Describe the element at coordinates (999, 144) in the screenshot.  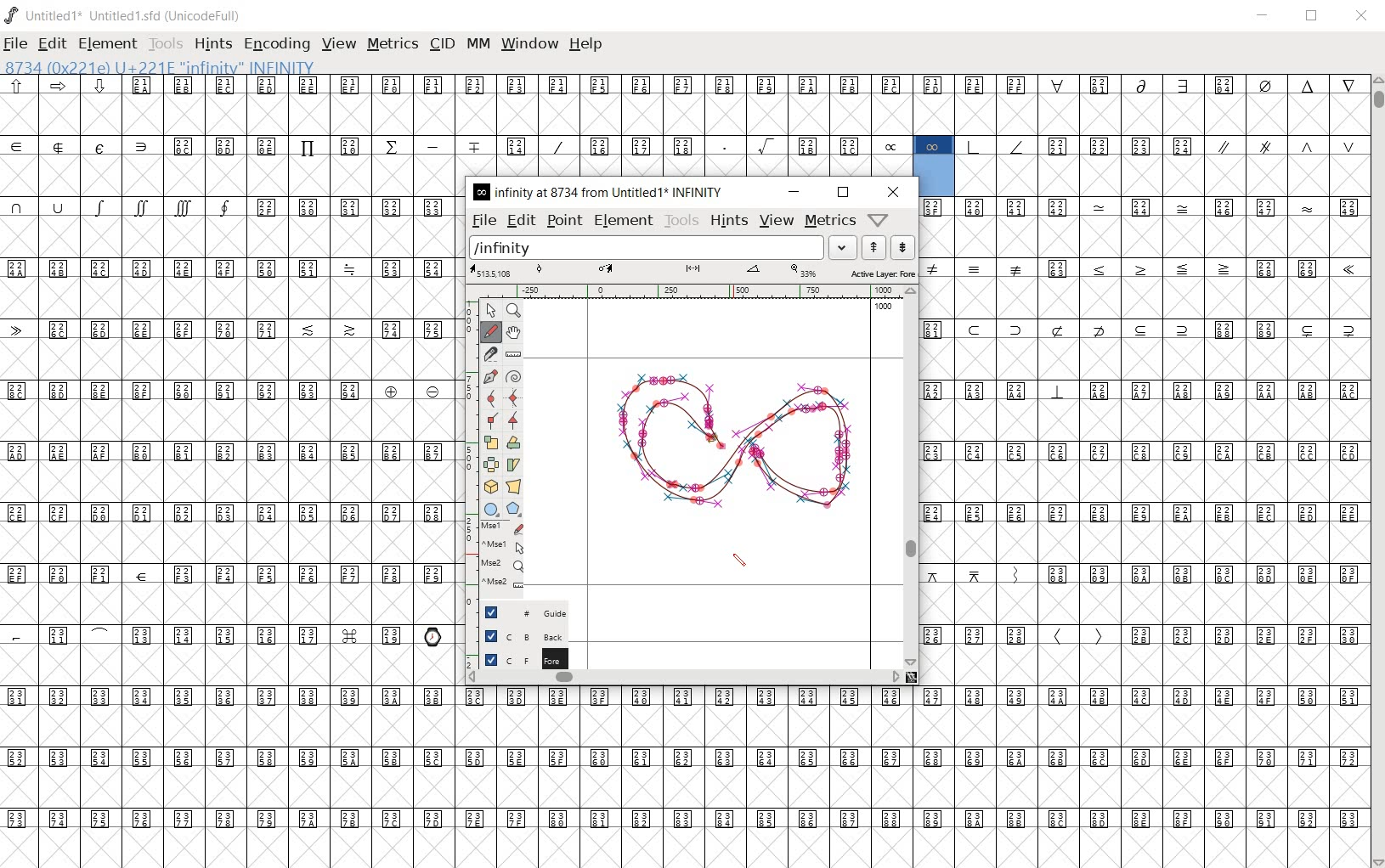
I see `symbols` at that location.